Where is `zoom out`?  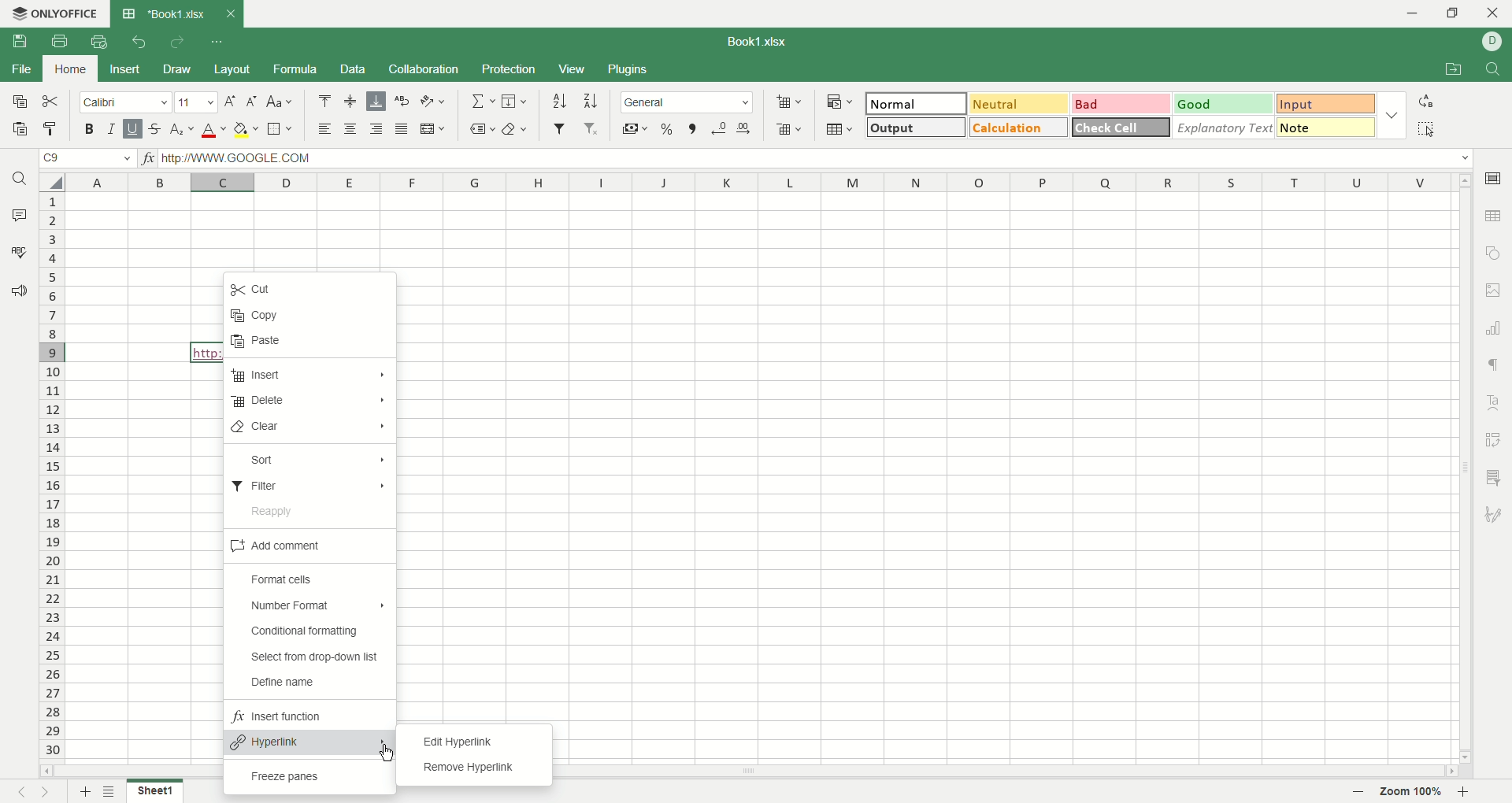
zoom out is located at coordinates (1466, 793).